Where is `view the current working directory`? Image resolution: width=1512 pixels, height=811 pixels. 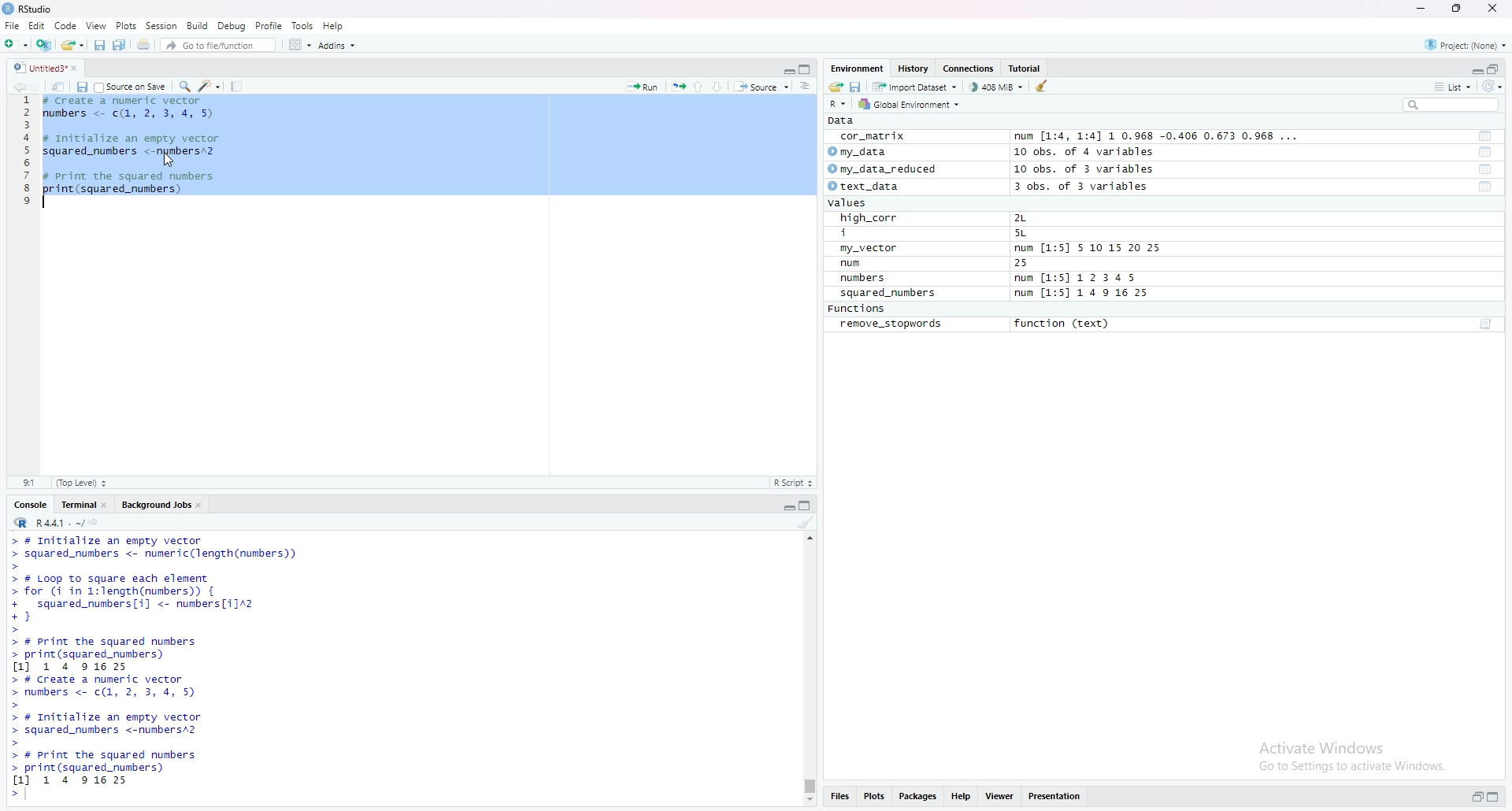 view the current working directory is located at coordinates (94, 521).